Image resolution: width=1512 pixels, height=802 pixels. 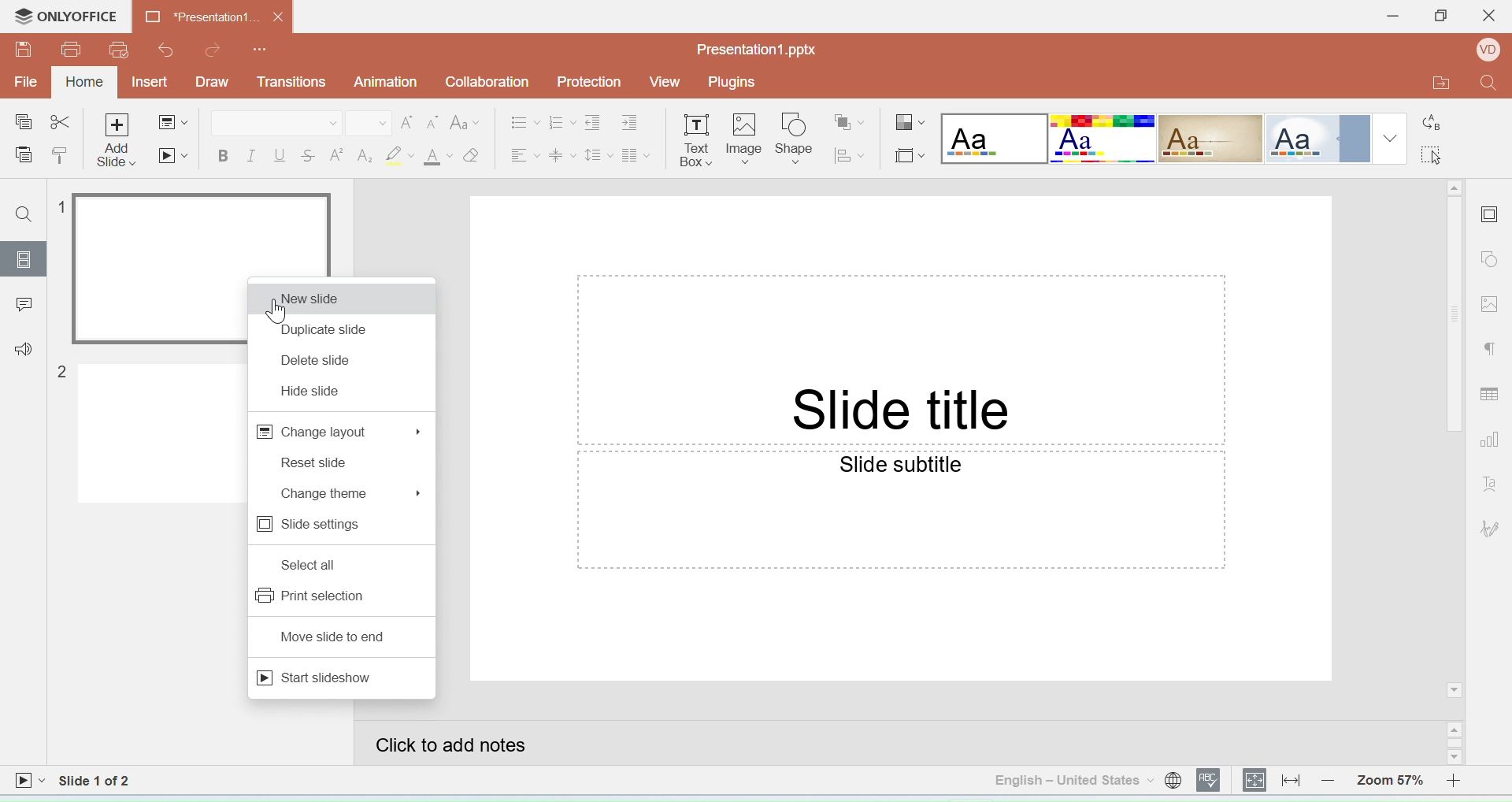 What do you see at coordinates (402, 156) in the screenshot?
I see `Highlight color` at bounding box center [402, 156].